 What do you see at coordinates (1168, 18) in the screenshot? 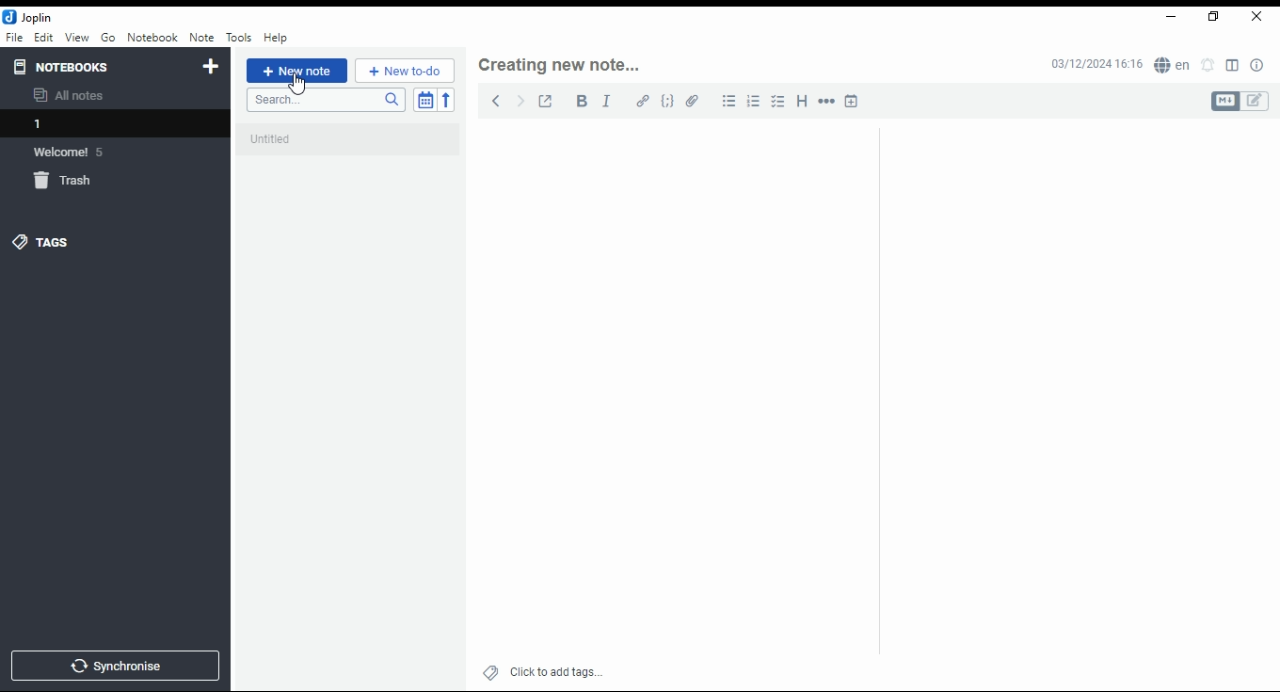
I see `minimize` at bounding box center [1168, 18].